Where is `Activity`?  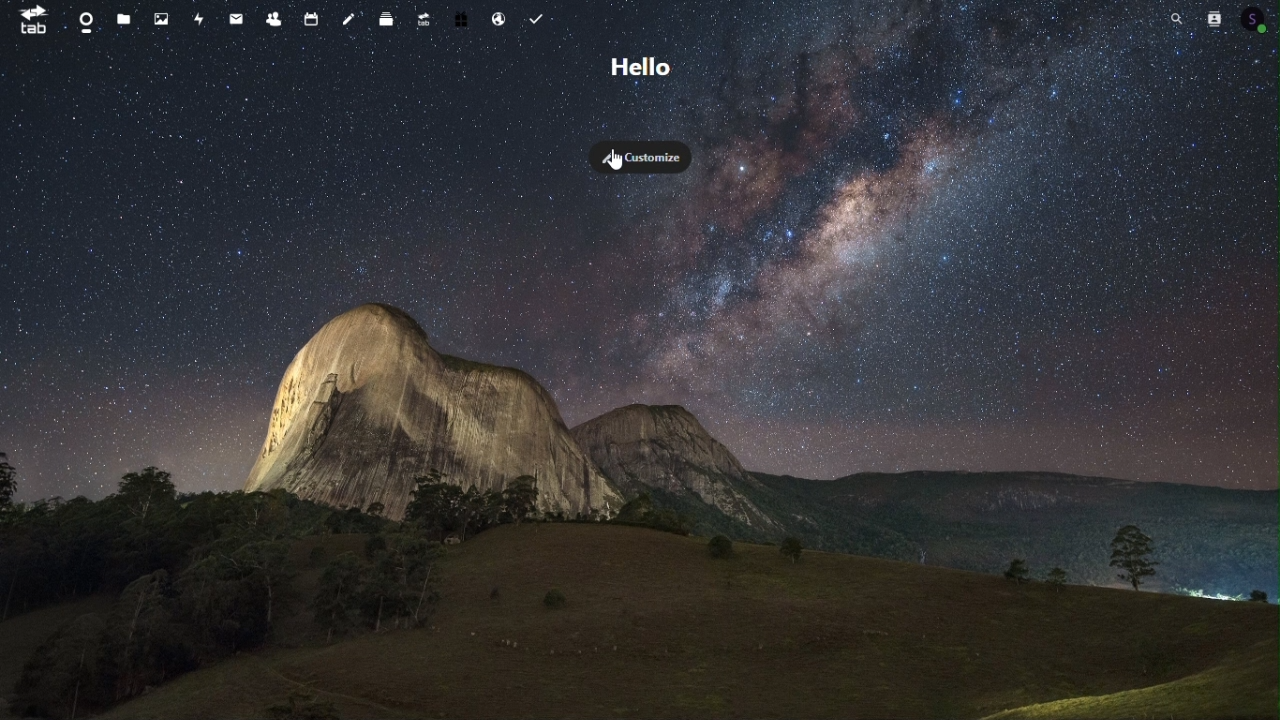
Activity is located at coordinates (197, 18).